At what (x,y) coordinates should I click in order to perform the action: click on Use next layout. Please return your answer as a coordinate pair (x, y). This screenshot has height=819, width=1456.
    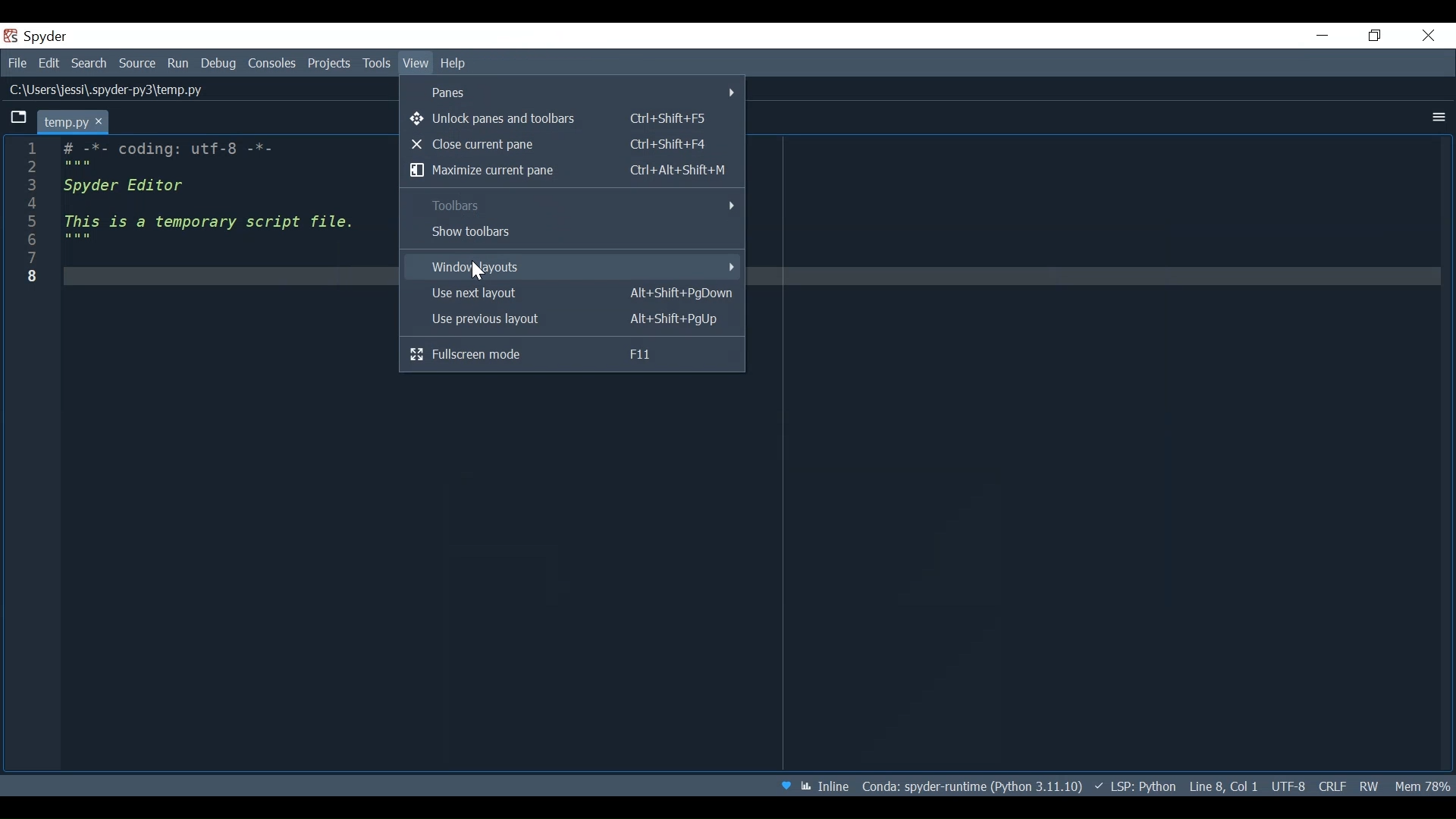
    Looking at the image, I should click on (572, 293).